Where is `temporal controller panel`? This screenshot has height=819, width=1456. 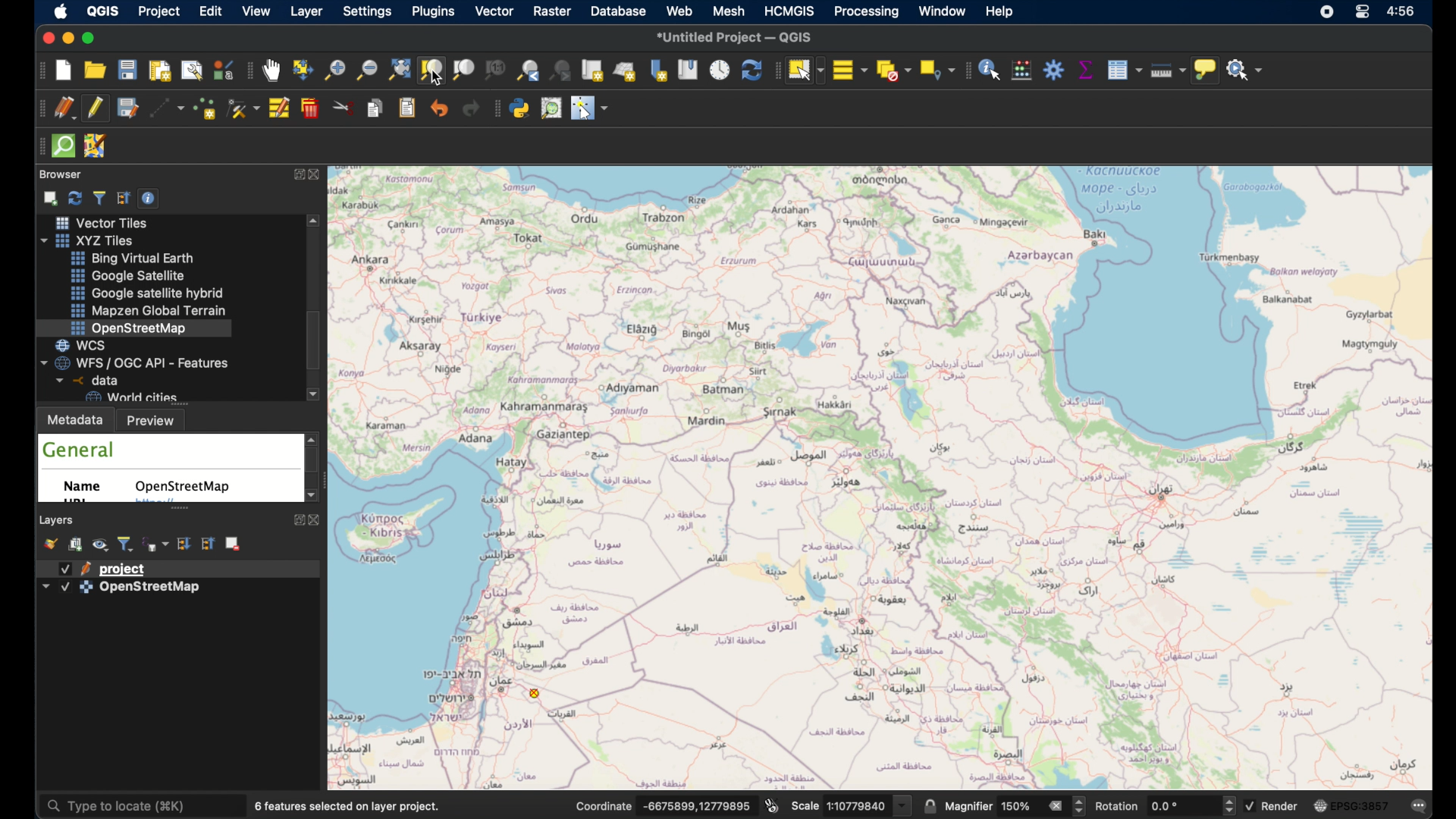
temporal controller panel is located at coordinates (720, 69).